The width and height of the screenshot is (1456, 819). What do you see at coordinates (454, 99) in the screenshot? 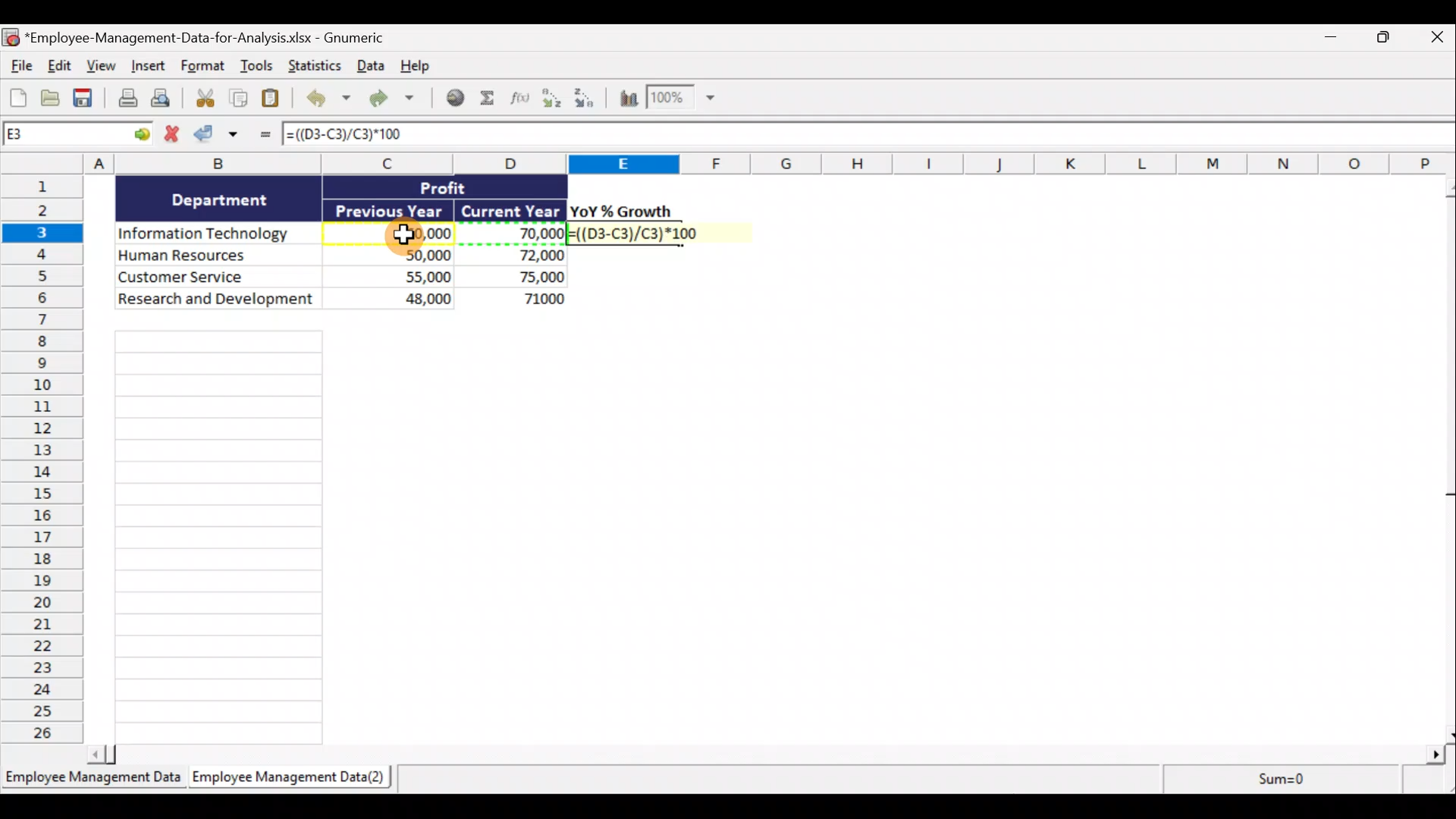
I see `Insert hyperlink` at bounding box center [454, 99].